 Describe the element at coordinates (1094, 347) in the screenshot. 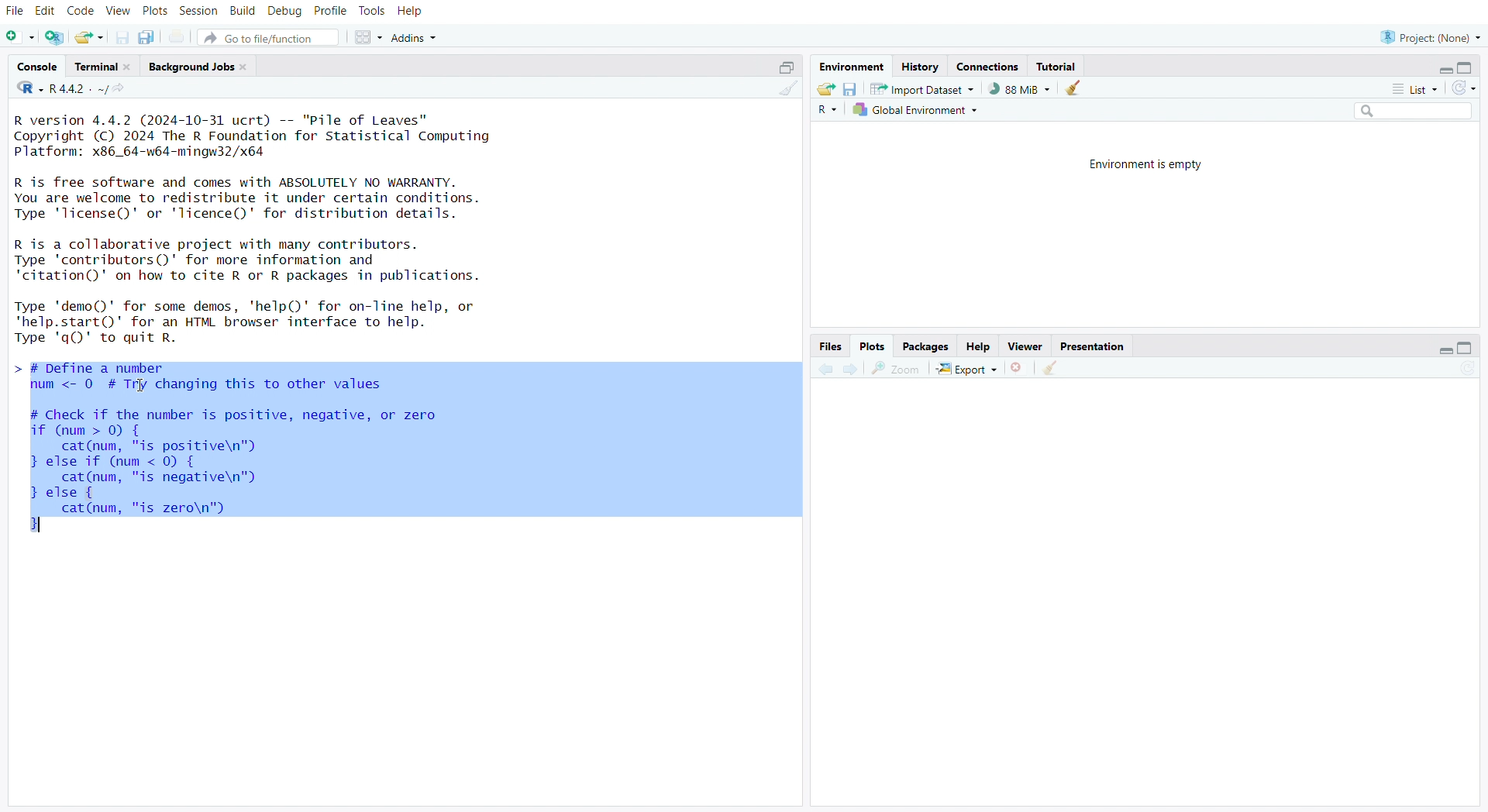

I see `presentation` at that location.